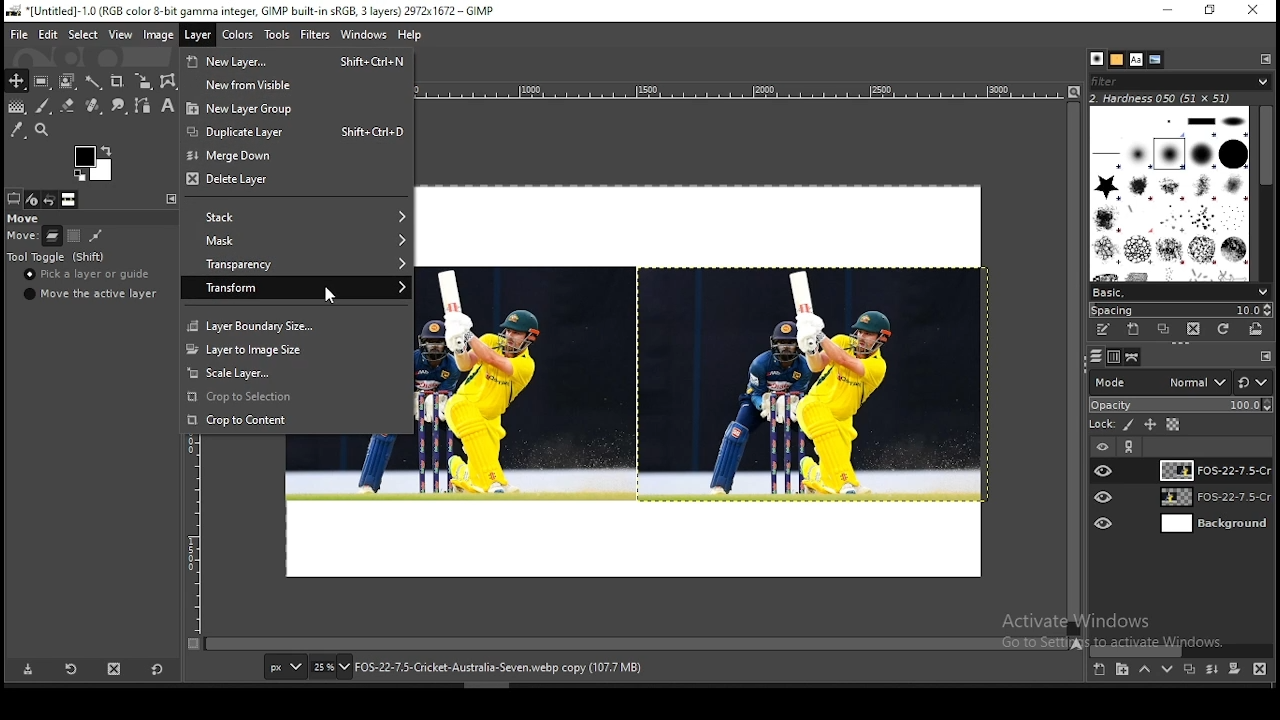 This screenshot has width=1280, height=720. Describe the element at coordinates (246, 130) in the screenshot. I see `duplicate layer` at that location.